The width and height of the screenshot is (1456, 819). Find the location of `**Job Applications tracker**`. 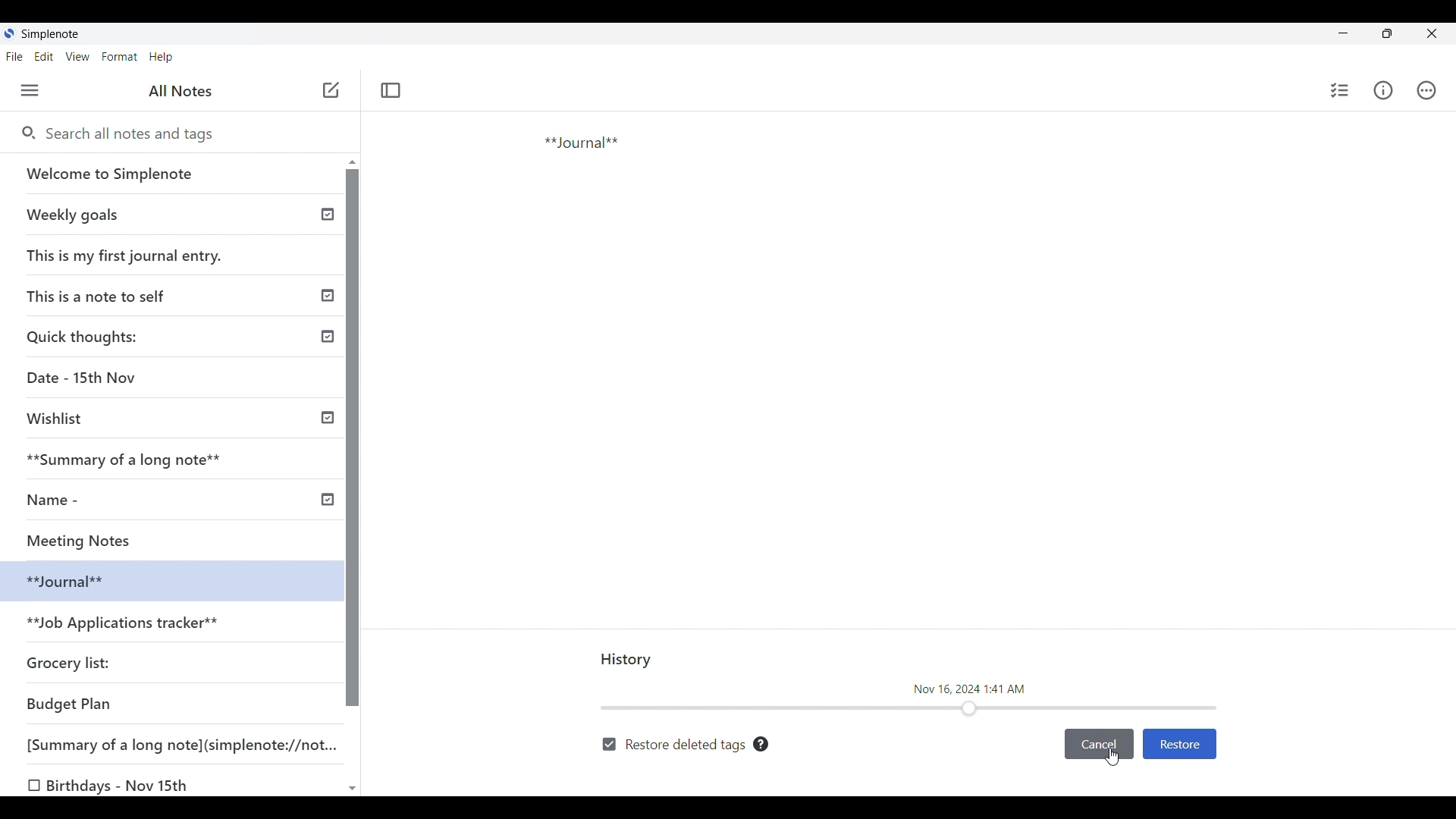

**Job Applications tracker** is located at coordinates (126, 624).